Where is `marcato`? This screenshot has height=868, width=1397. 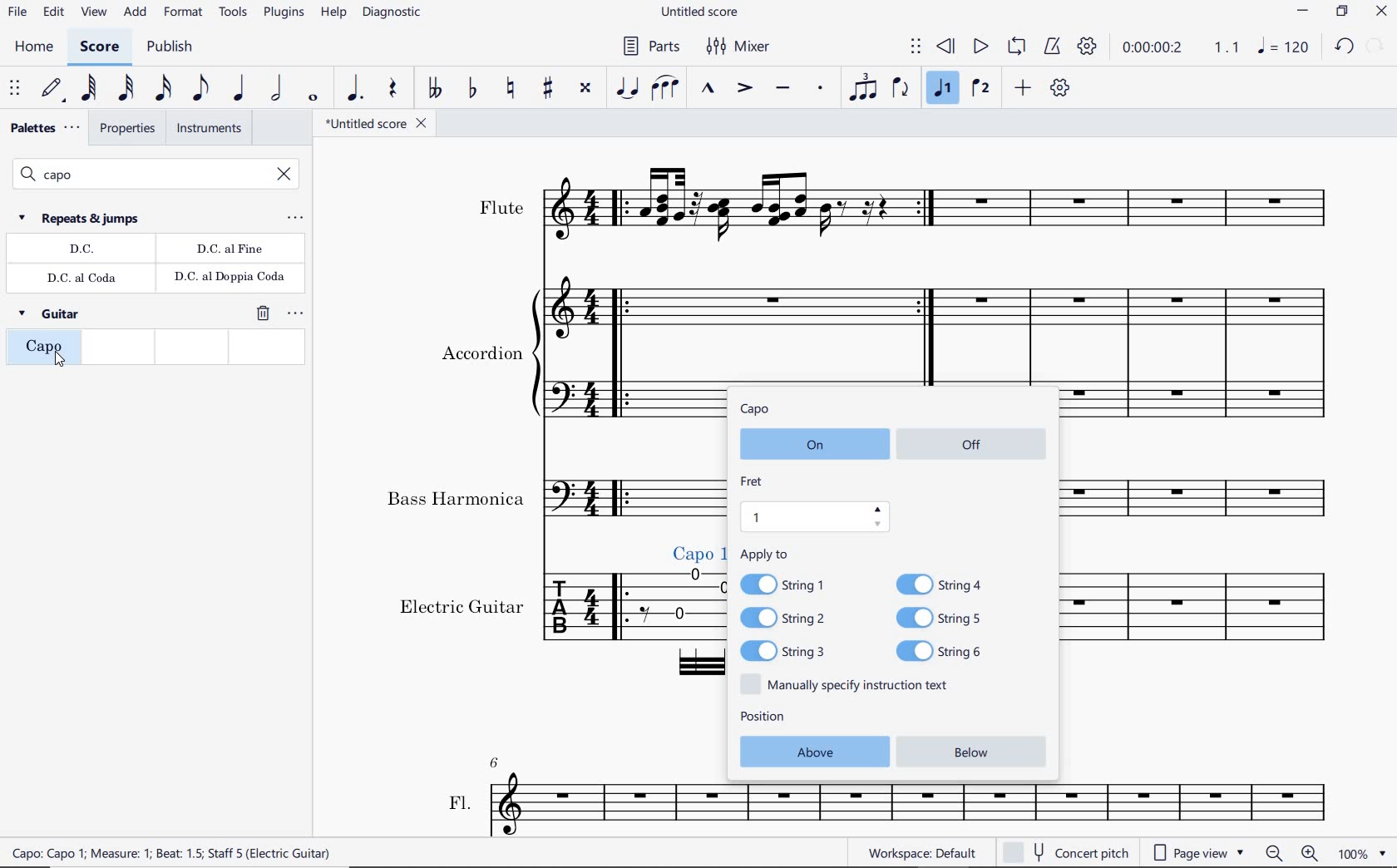 marcato is located at coordinates (710, 90).